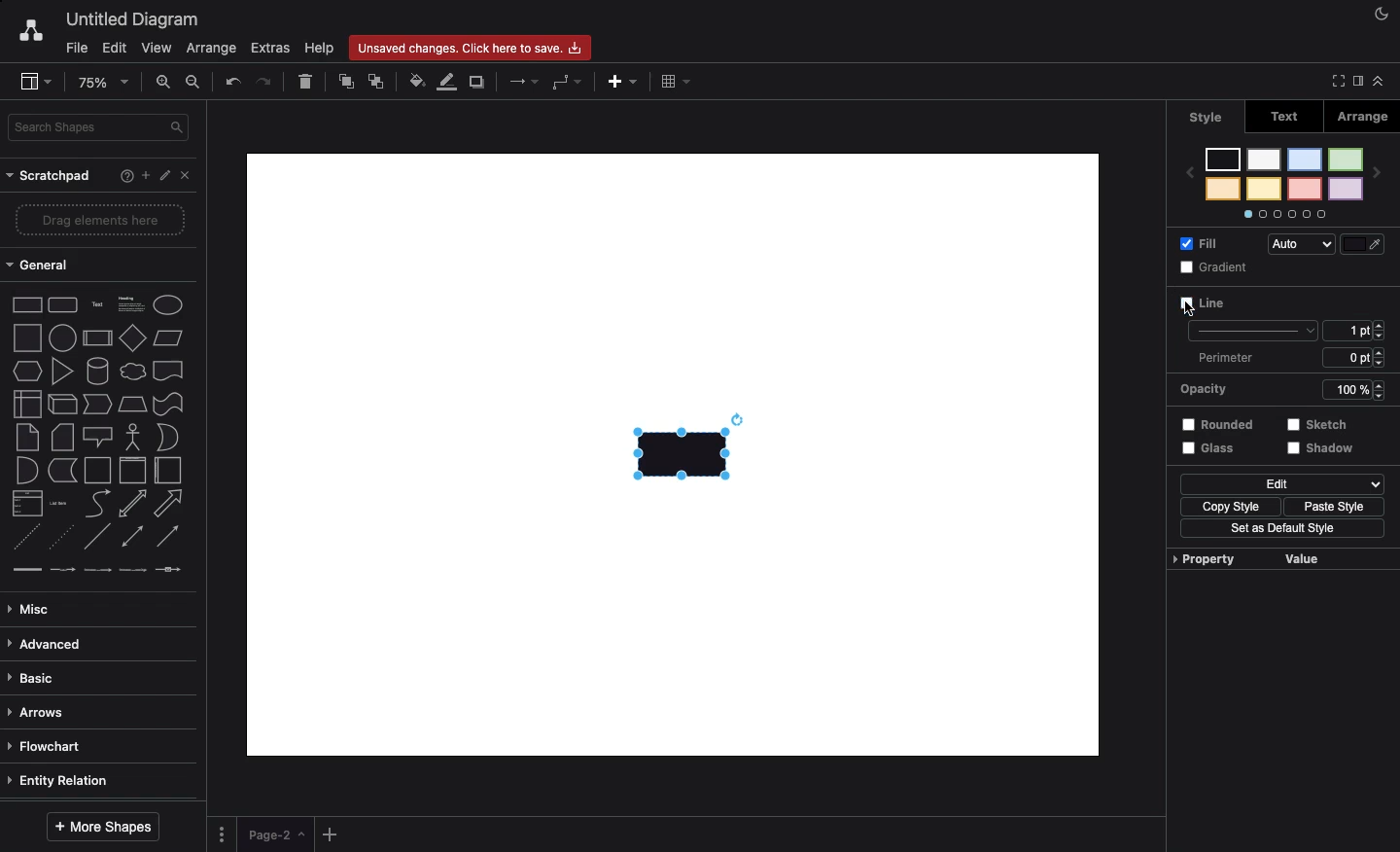  Describe the element at coordinates (169, 403) in the screenshot. I see `tape` at that location.